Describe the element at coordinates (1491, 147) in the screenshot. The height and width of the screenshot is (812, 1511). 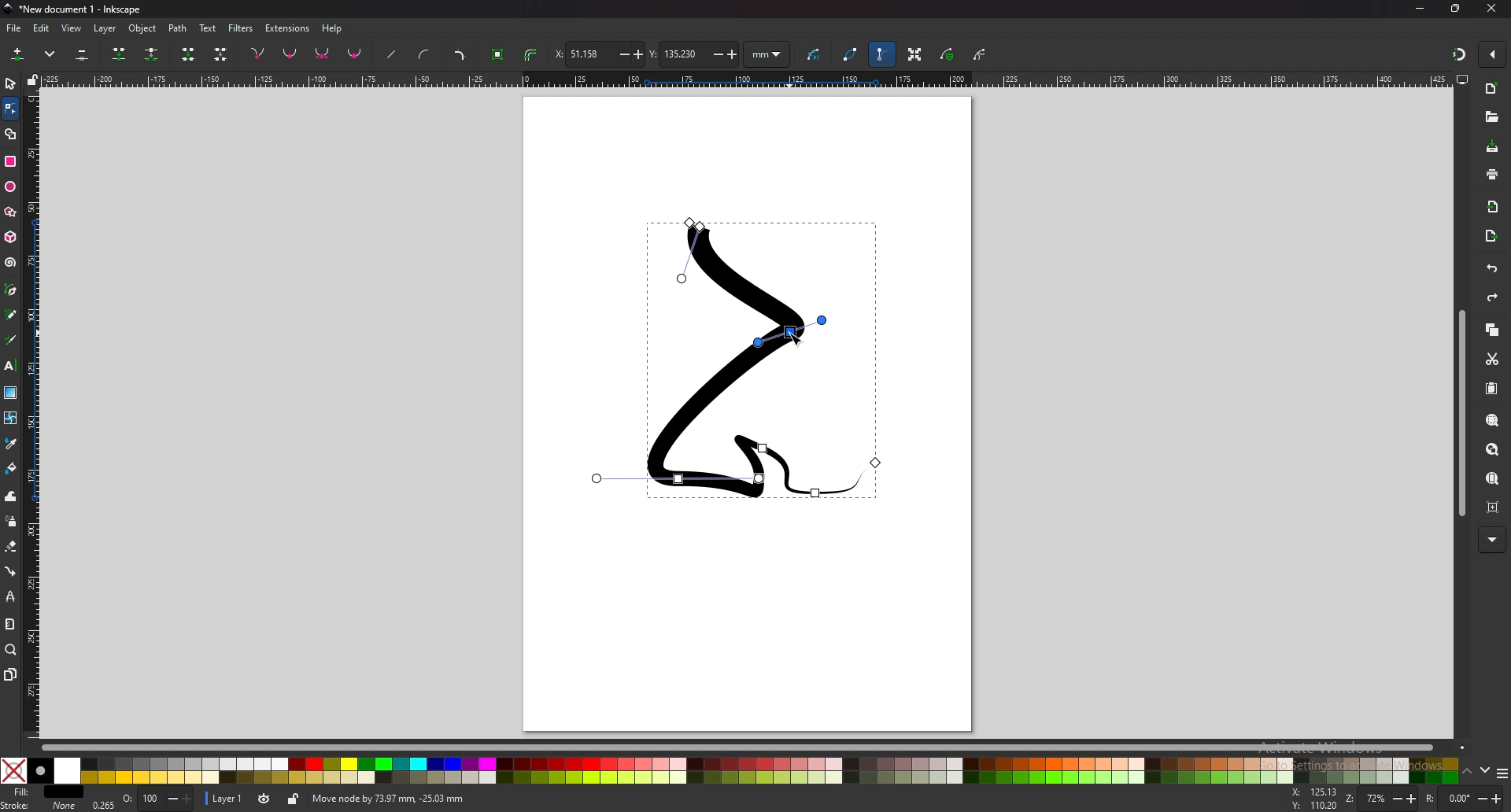
I see `save` at that location.